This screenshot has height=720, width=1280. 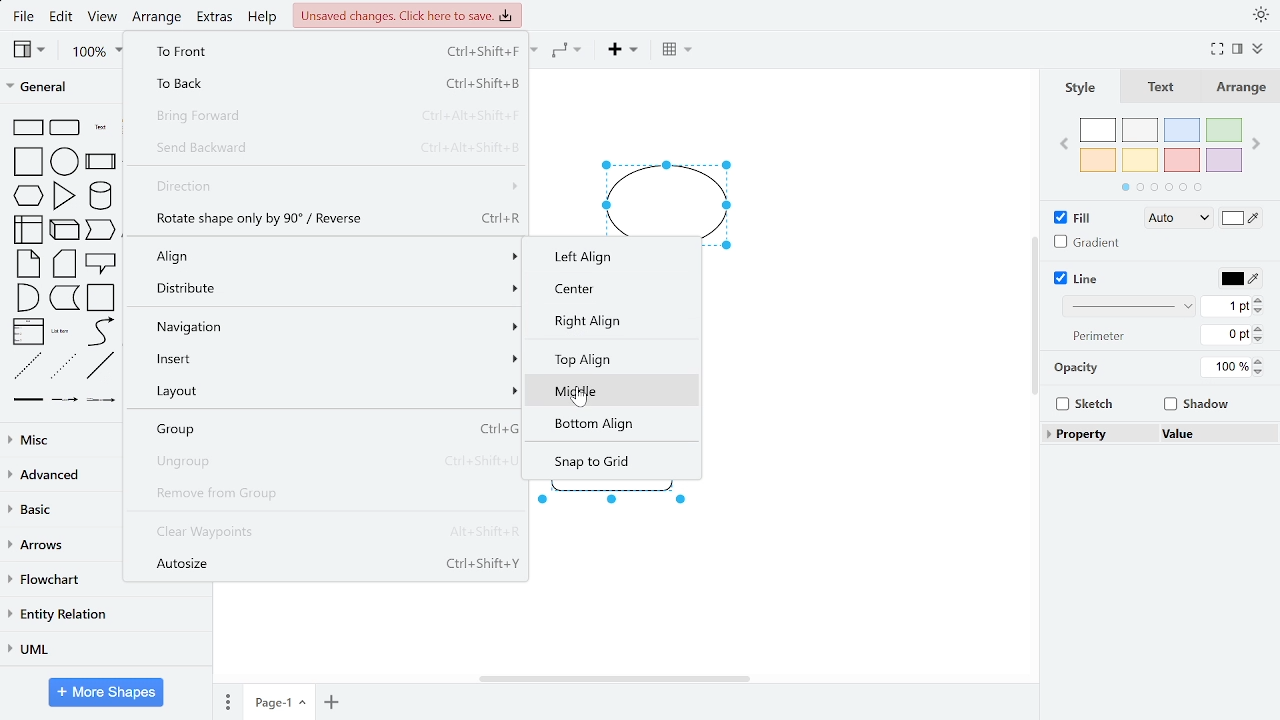 I want to click on internal storage, so click(x=31, y=229).